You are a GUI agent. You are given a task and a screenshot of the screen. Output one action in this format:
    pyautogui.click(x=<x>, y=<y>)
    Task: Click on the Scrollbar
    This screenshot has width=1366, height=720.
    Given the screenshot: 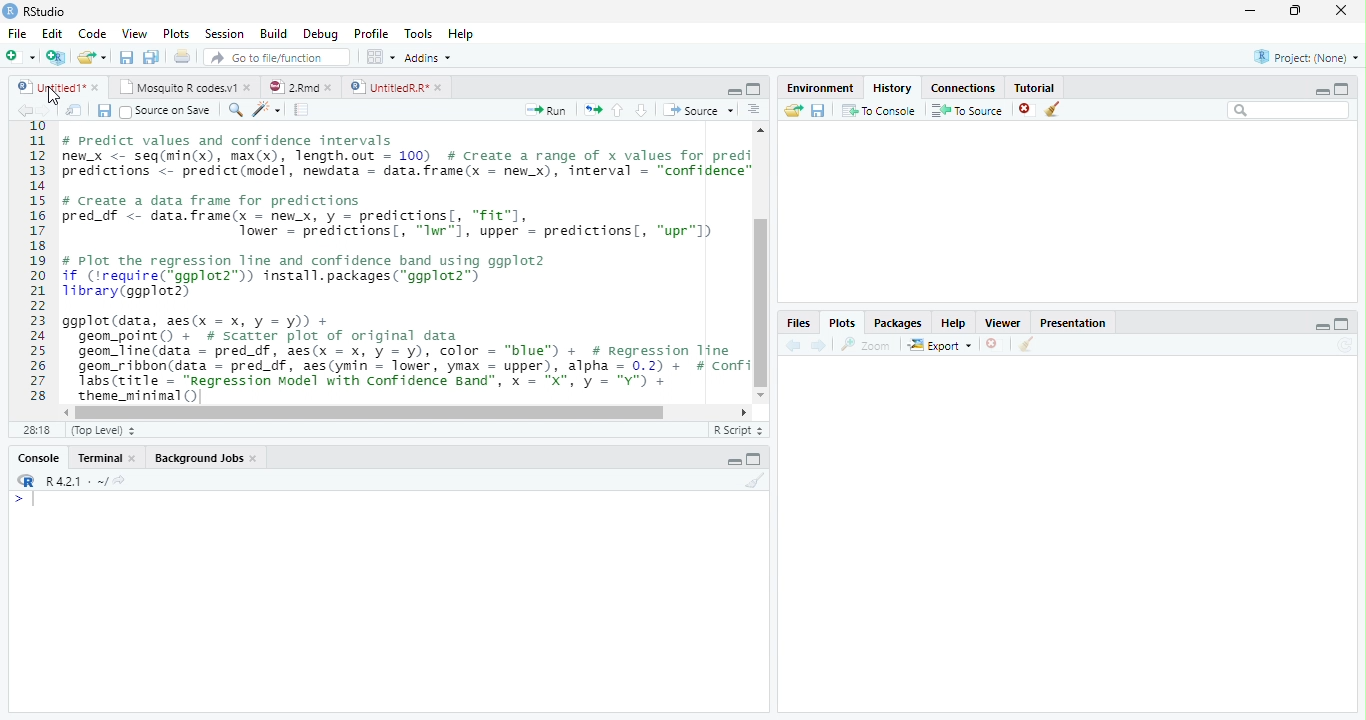 What is the action you would take?
    pyautogui.click(x=761, y=263)
    